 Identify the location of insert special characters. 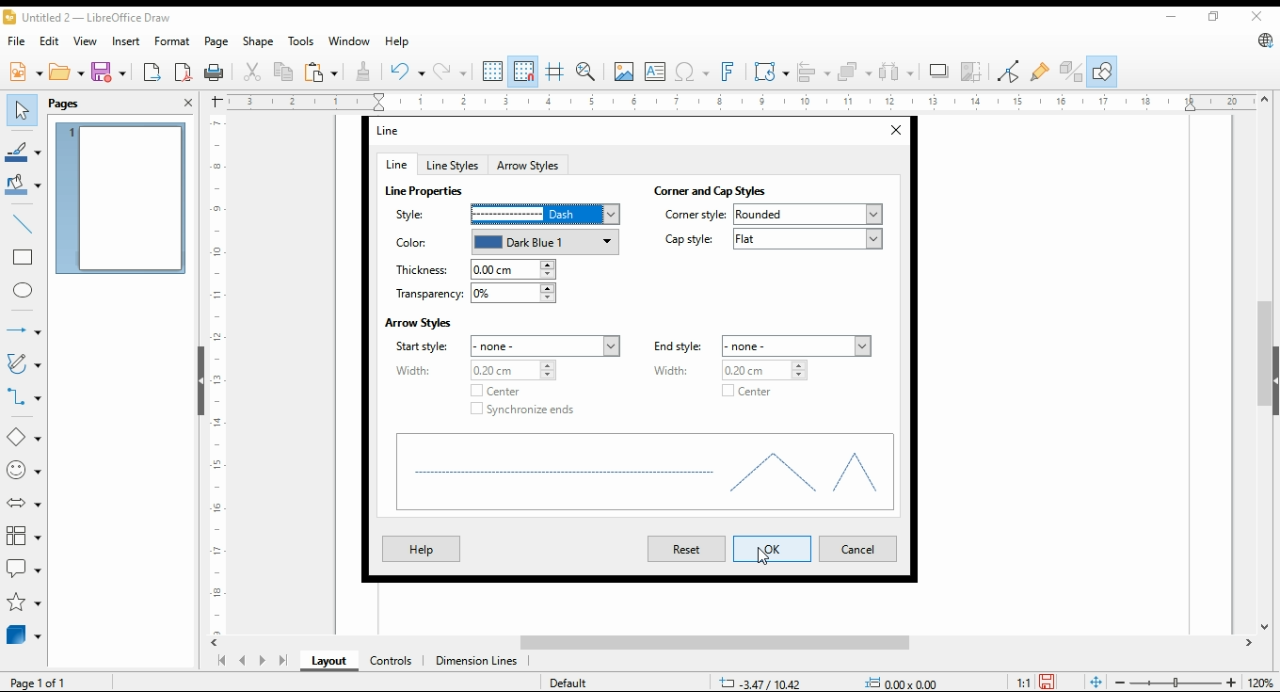
(690, 72).